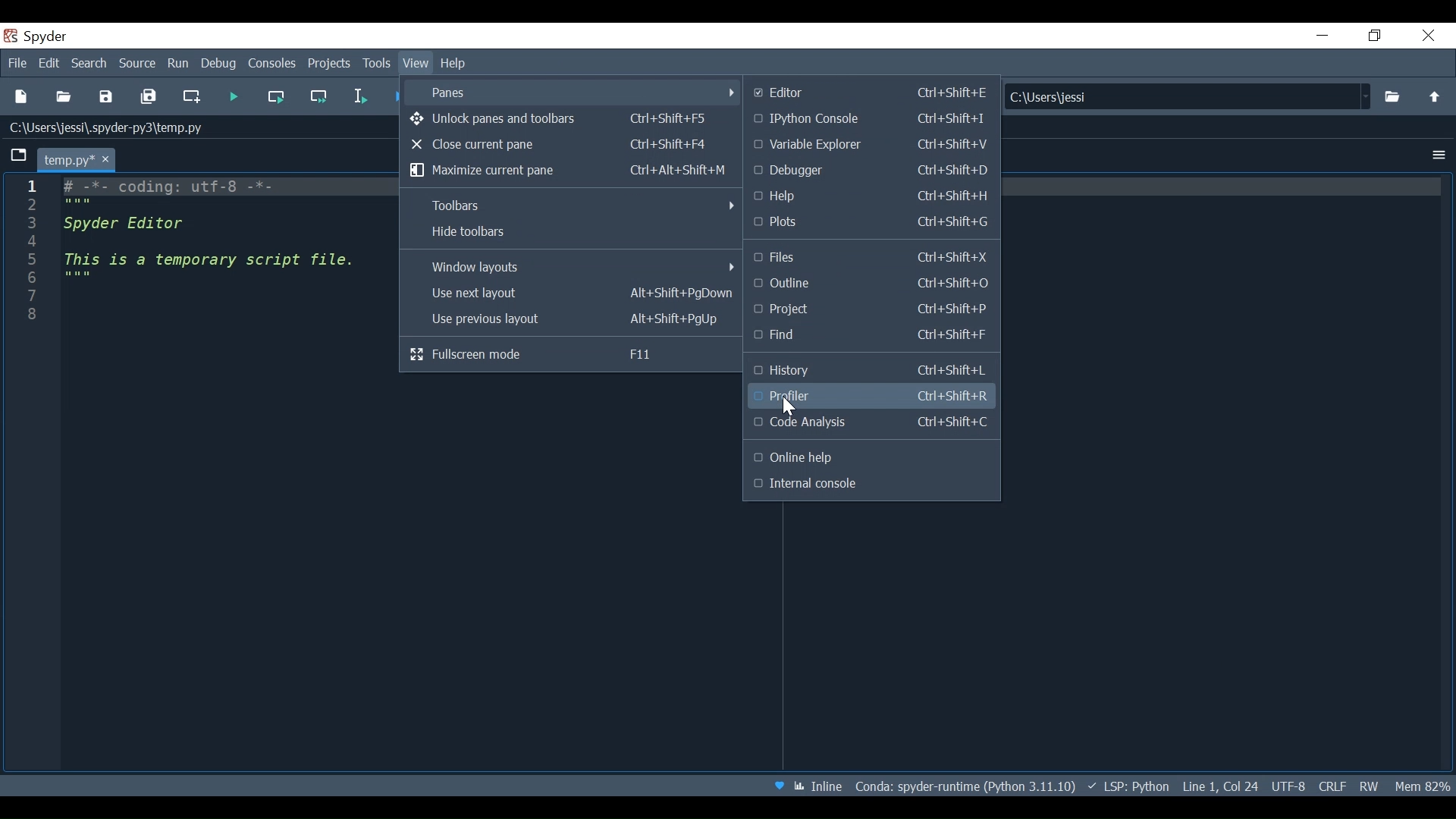  I want to click on Search, so click(89, 64).